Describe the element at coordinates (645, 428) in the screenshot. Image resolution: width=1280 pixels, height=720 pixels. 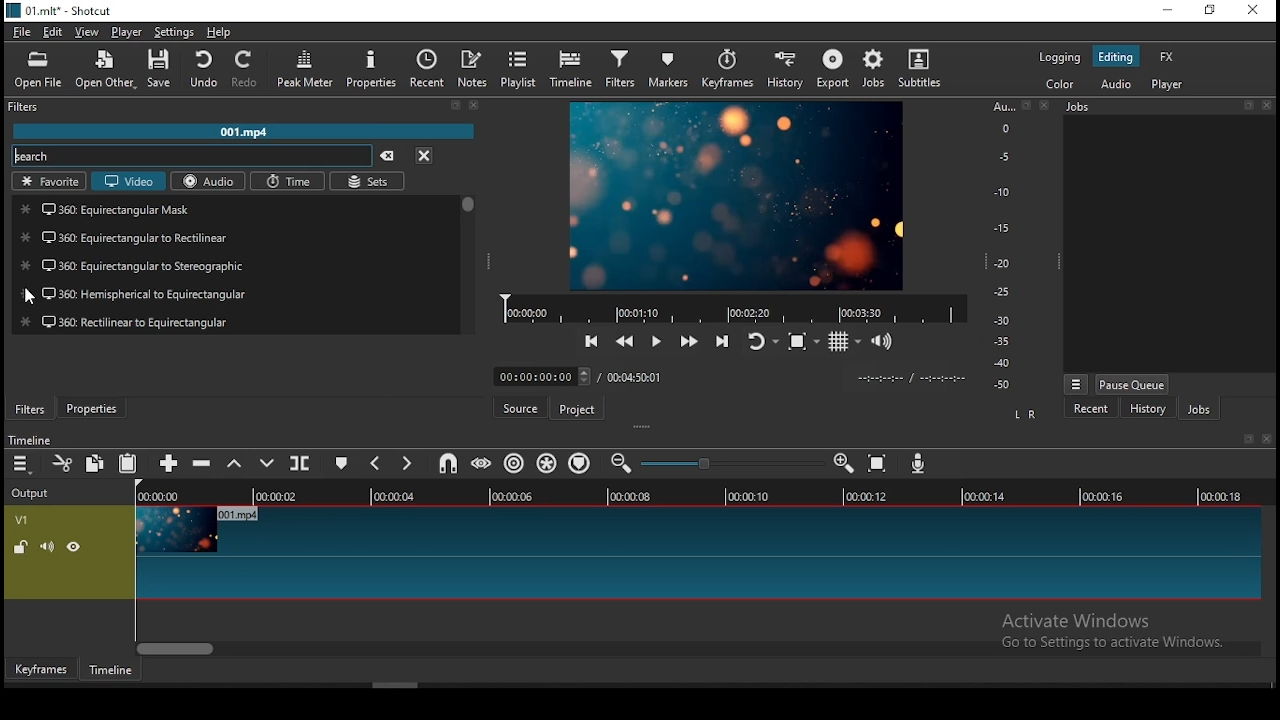
I see `drag` at that location.